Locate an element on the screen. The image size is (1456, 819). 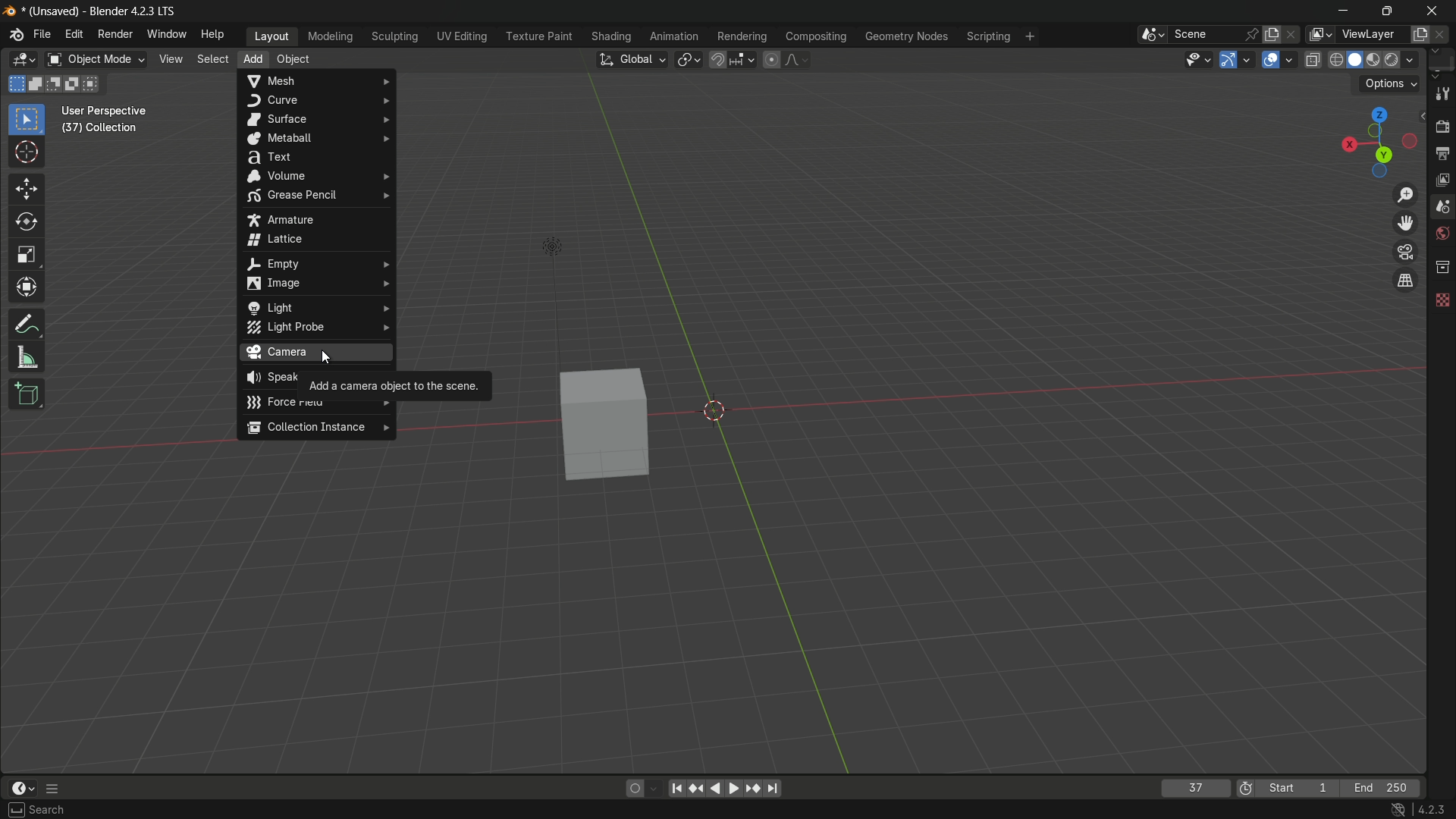
jump keyframe is located at coordinates (754, 788).